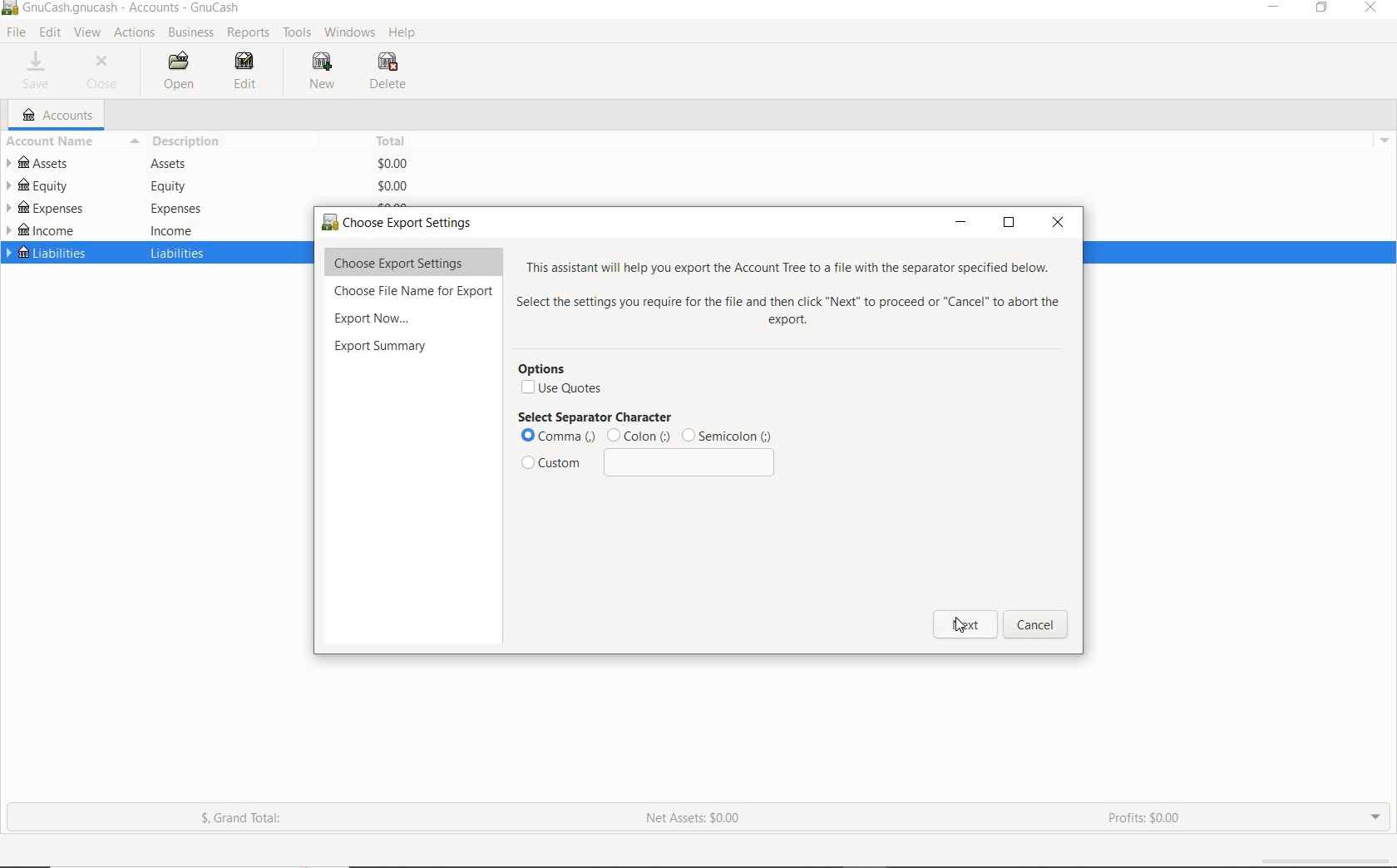 The height and width of the screenshot is (868, 1397). Describe the element at coordinates (562, 378) in the screenshot. I see `options` at that location.